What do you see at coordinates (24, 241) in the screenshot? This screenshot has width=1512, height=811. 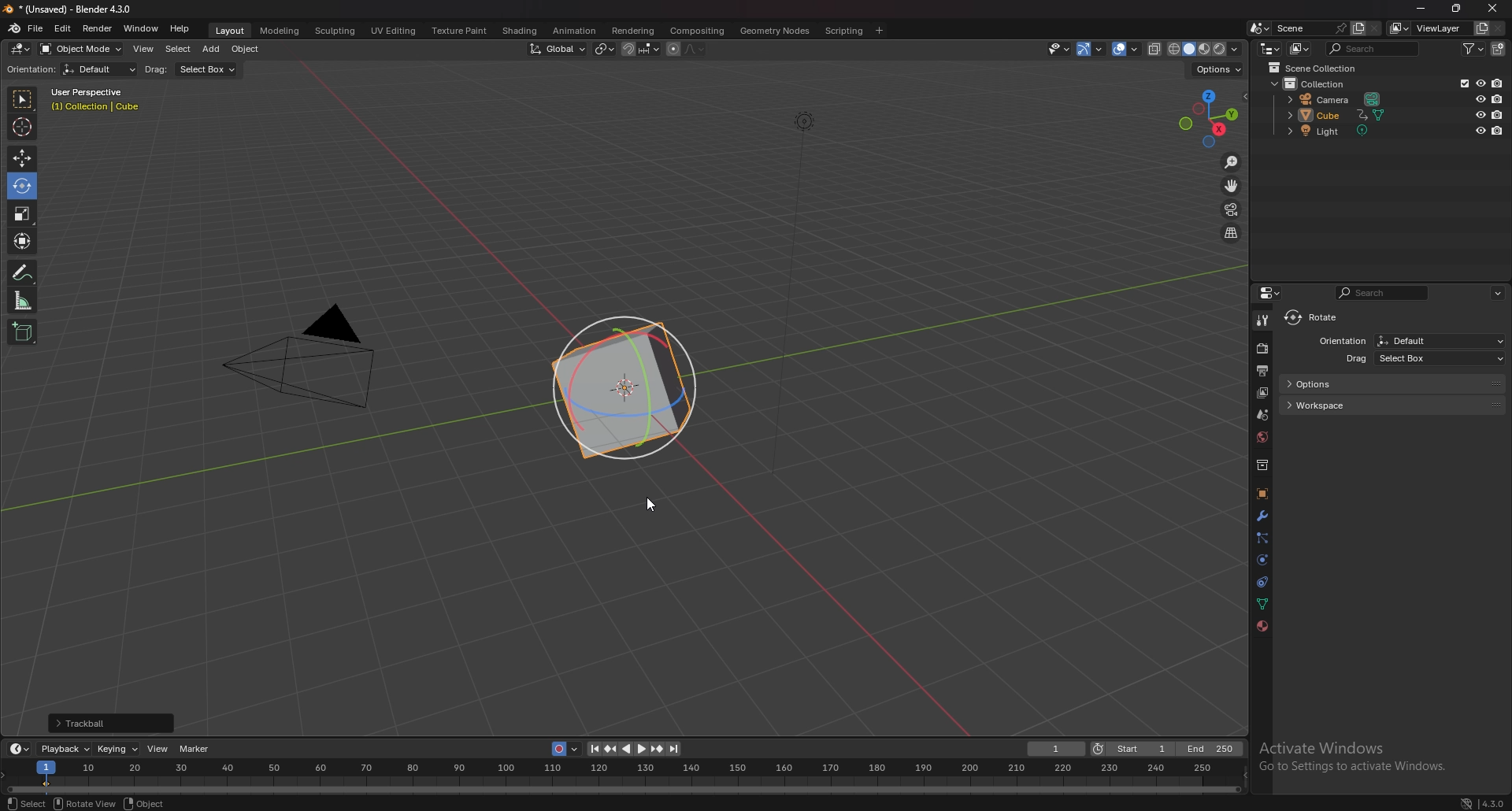 I see `transform` at bounding box center [24, 241].